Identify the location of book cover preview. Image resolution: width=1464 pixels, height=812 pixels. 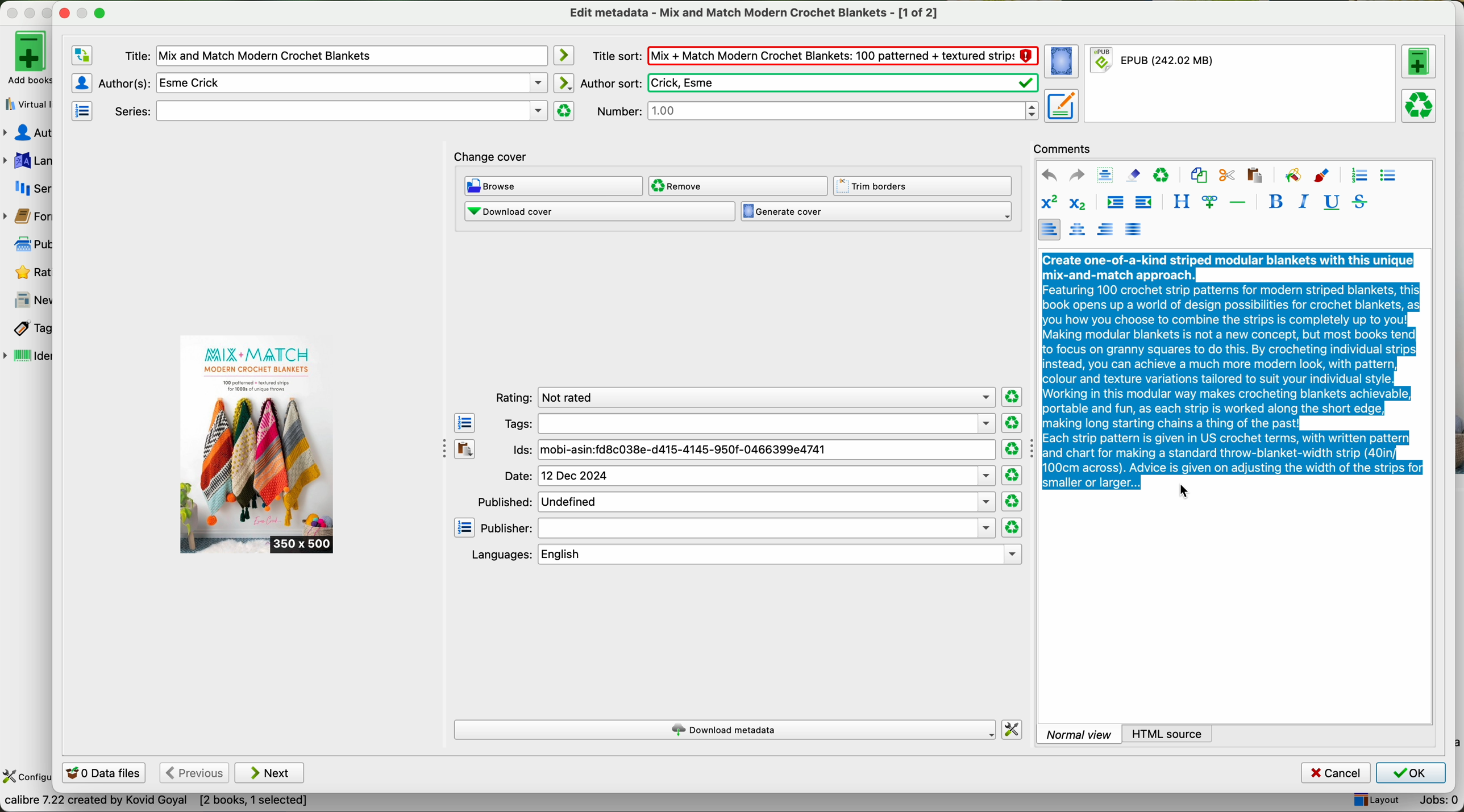
(258, 445).